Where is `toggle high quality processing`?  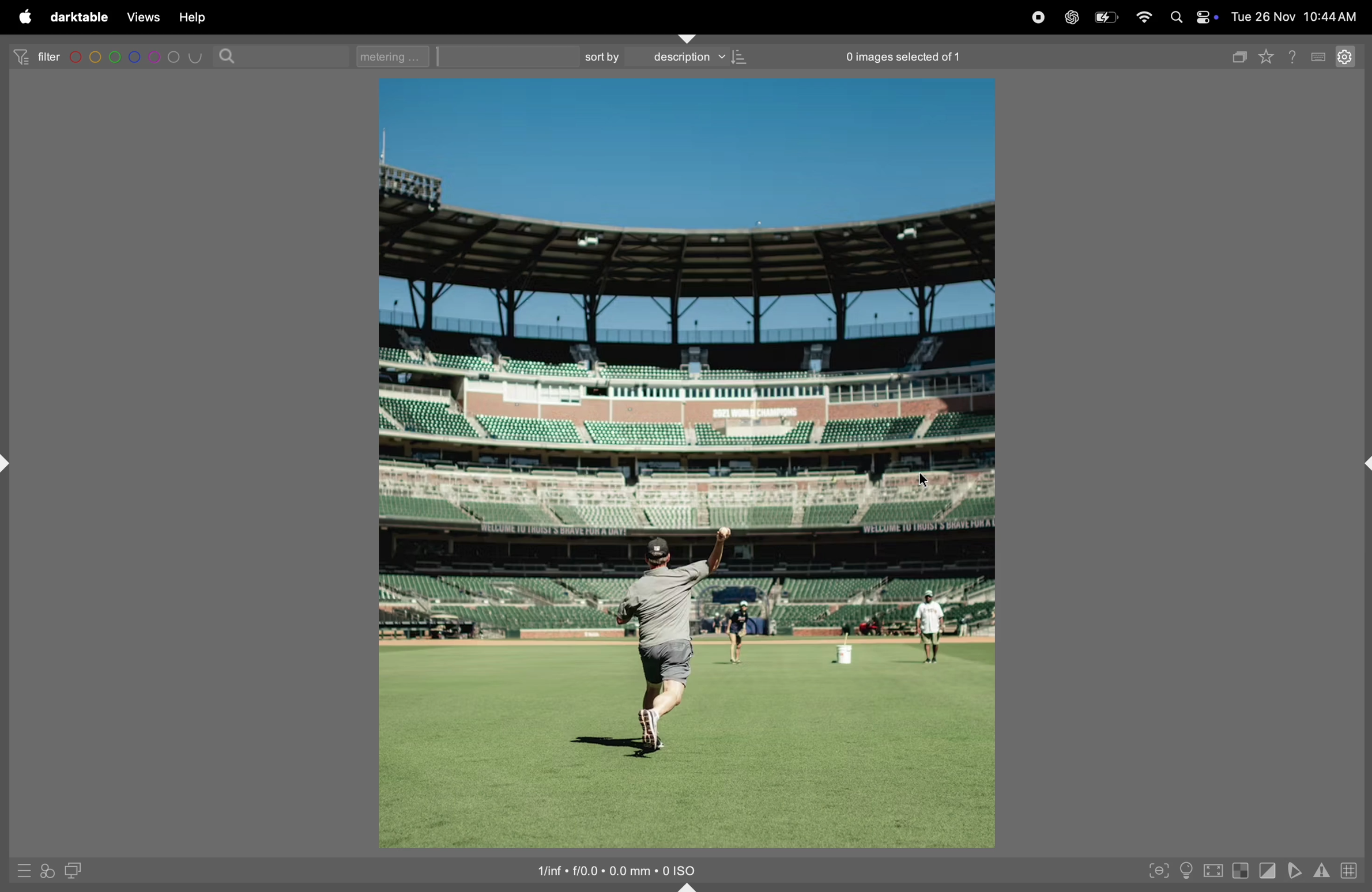
toggle high quality processing is located at coordinates (1215, 870).